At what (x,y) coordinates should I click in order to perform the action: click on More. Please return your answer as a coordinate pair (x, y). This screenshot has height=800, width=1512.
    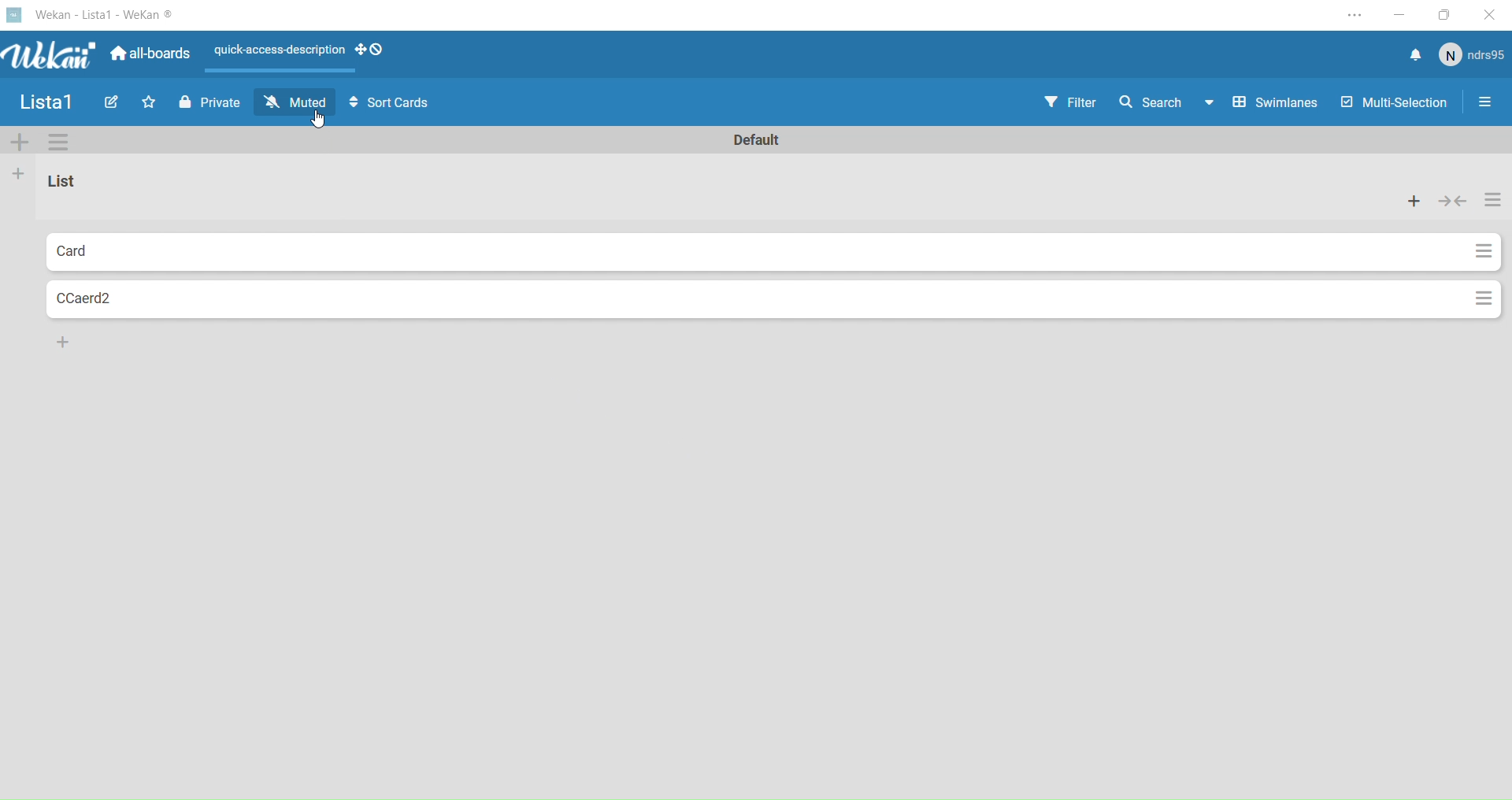
    Looking at the image, I should click on (20, 142).